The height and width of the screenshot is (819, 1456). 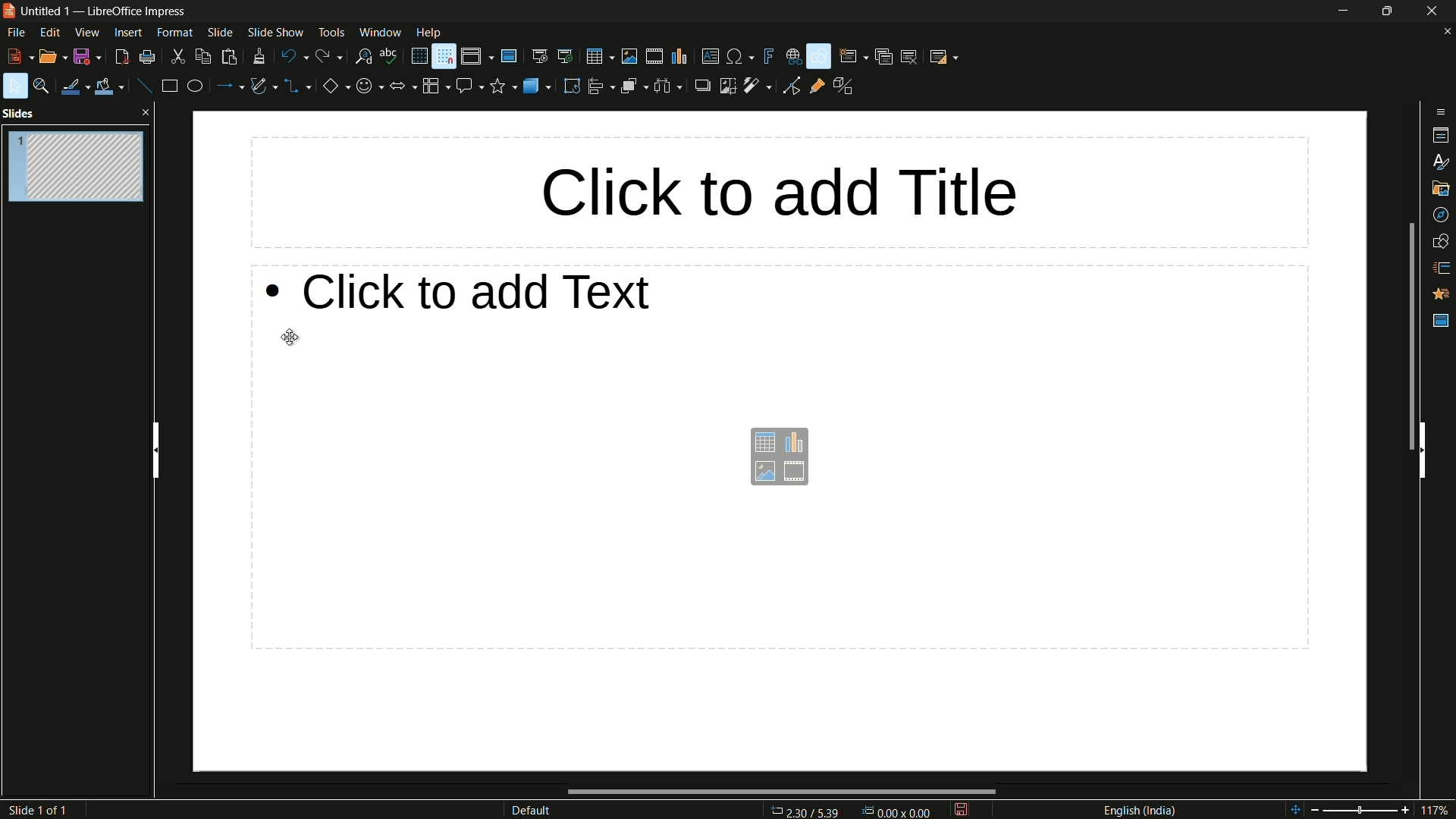 What do you see at coordinates (218, 30) in the screenshot?
I see `cursor` at bounding box center [218, 30].